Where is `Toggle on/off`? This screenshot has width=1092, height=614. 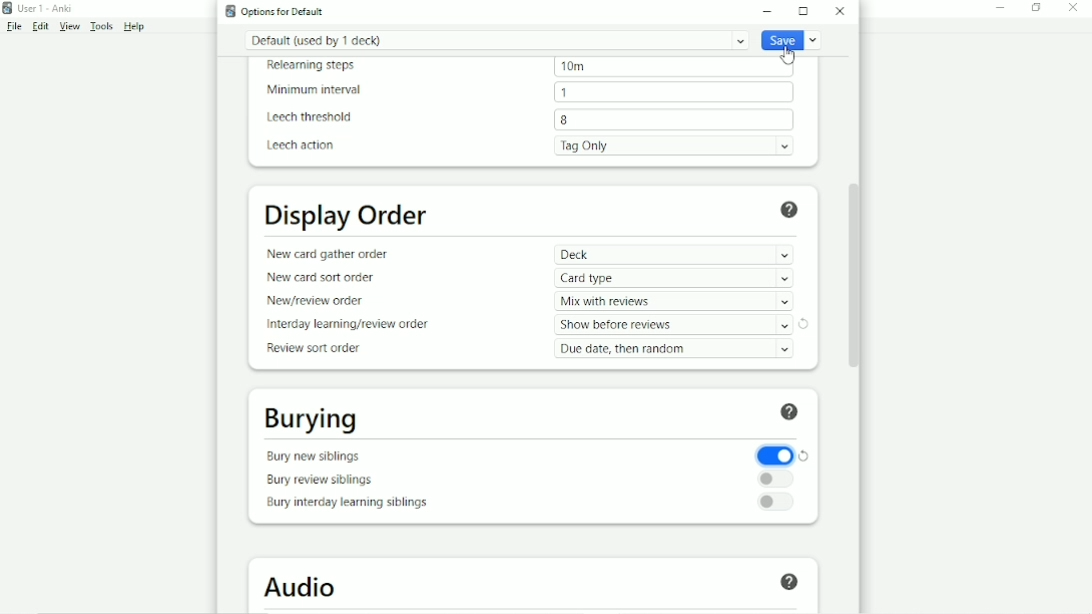 Toggle on/off is located at coordinates (776, 503).